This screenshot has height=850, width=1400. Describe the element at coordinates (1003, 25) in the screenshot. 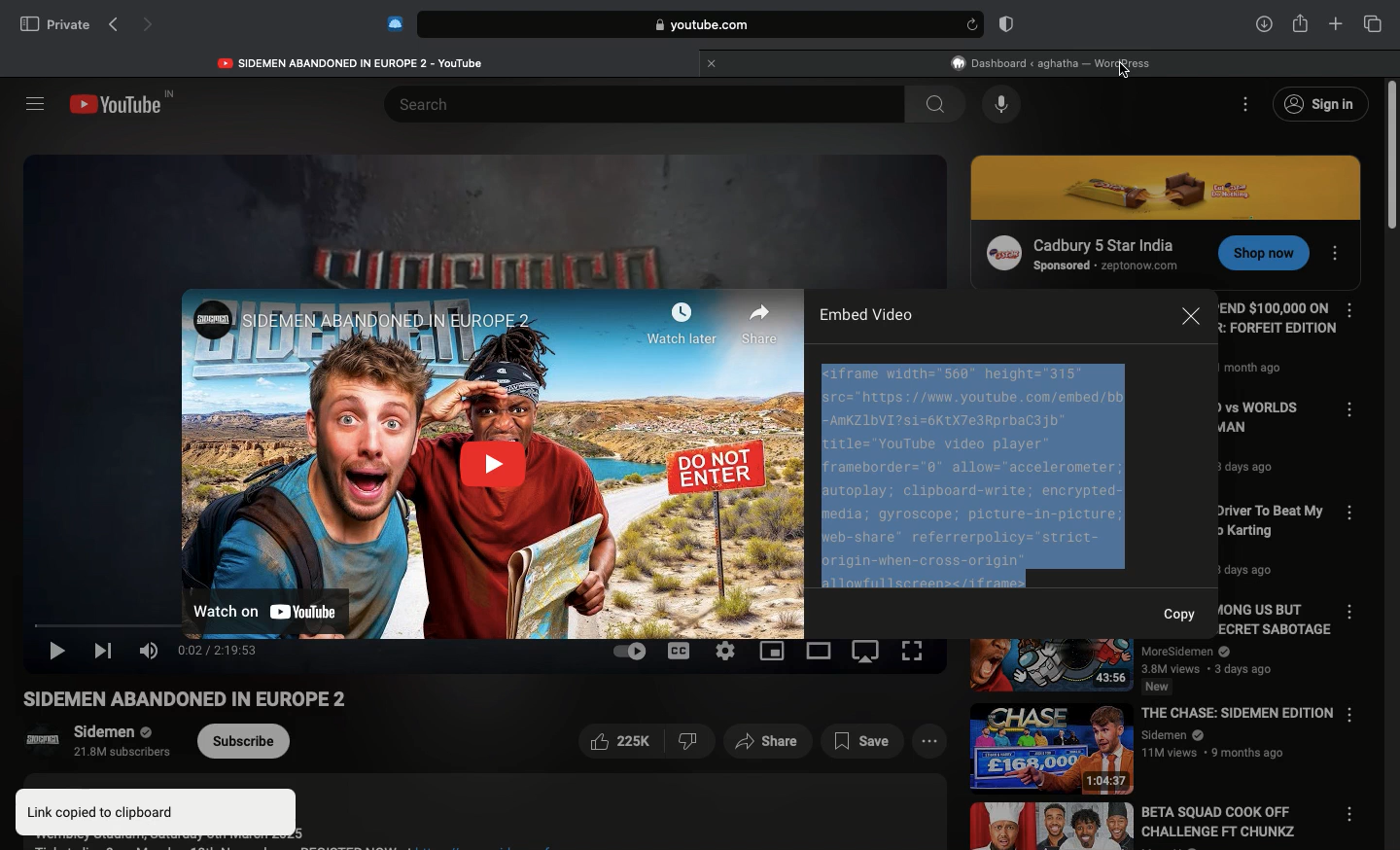

I see `Badge` at that location.